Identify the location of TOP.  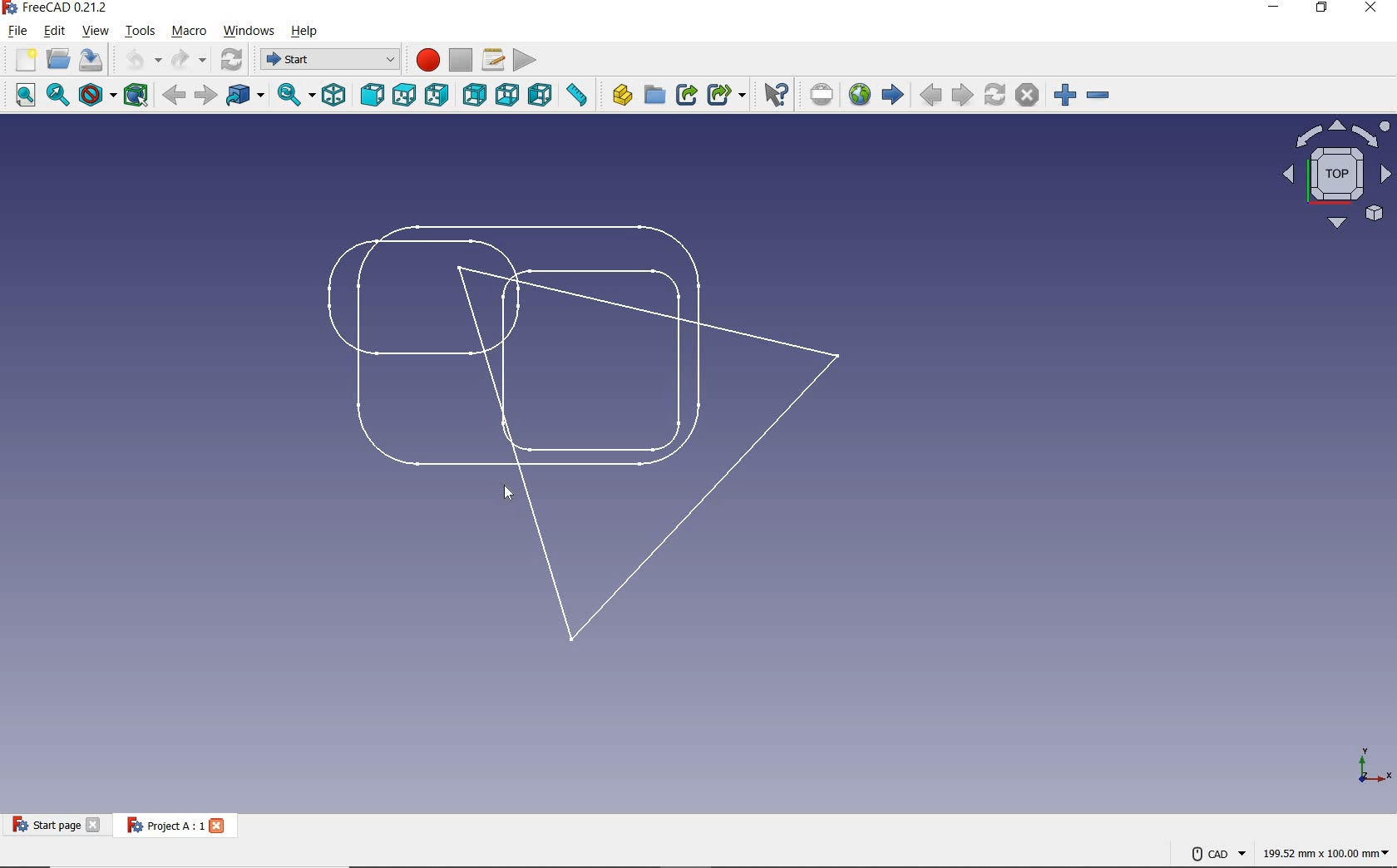
(406, 95).